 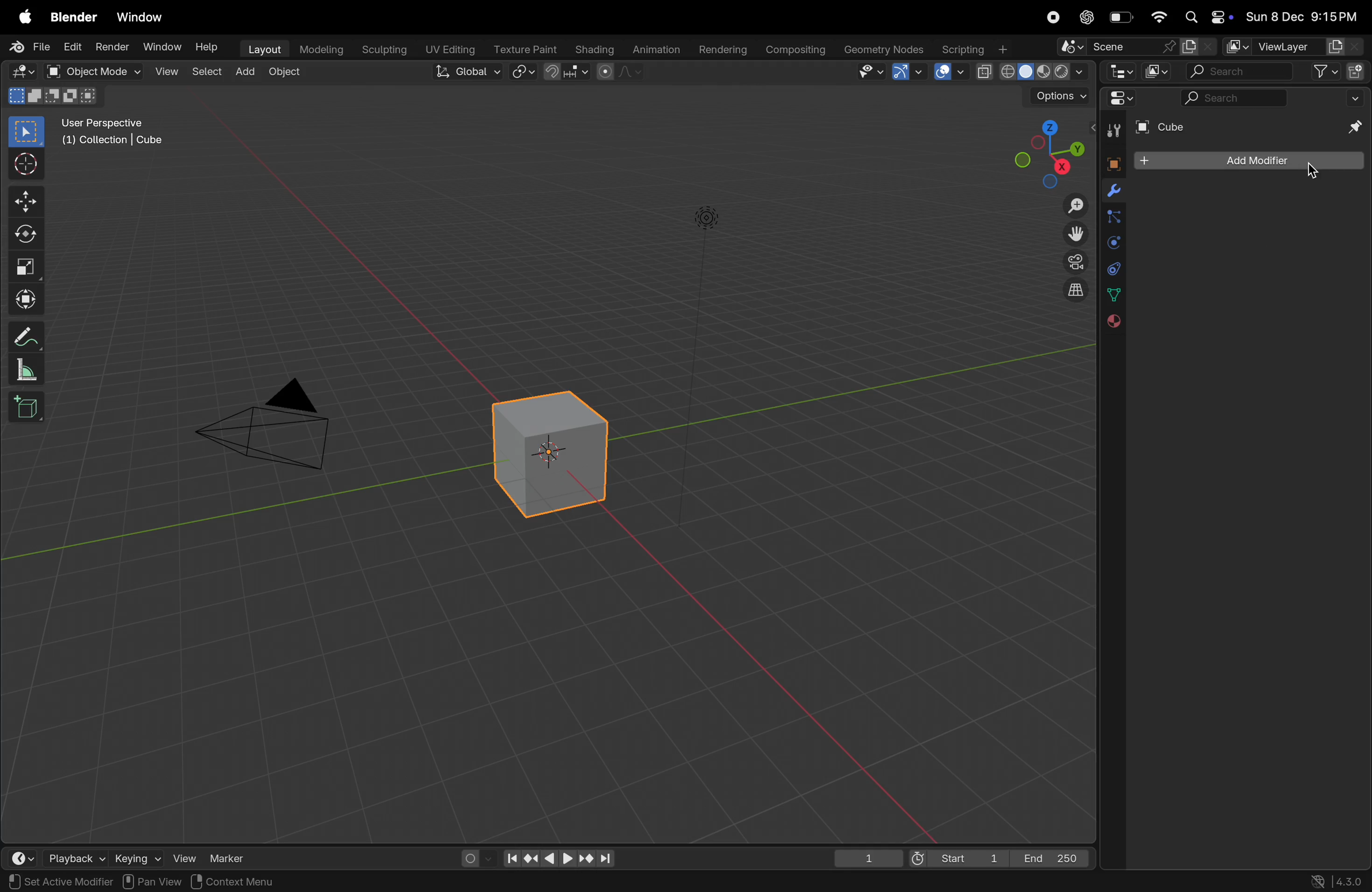 I want to click on wifi, so click(x=1159, y=17).